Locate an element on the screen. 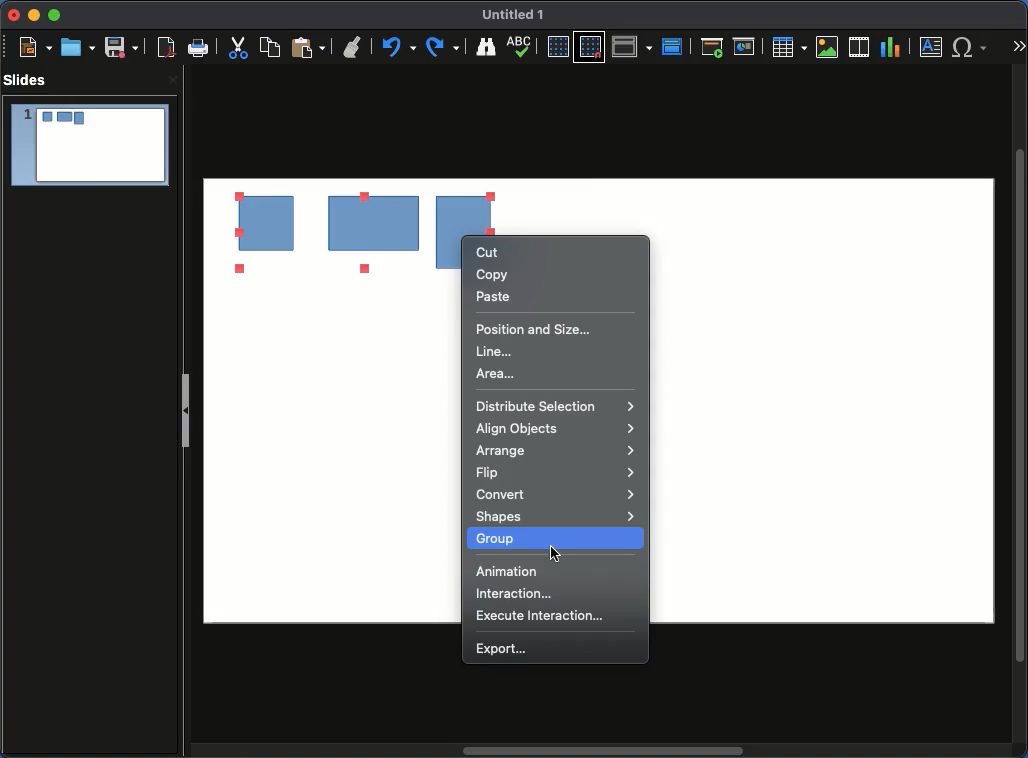  Paste is located at coordinates (308, 48).